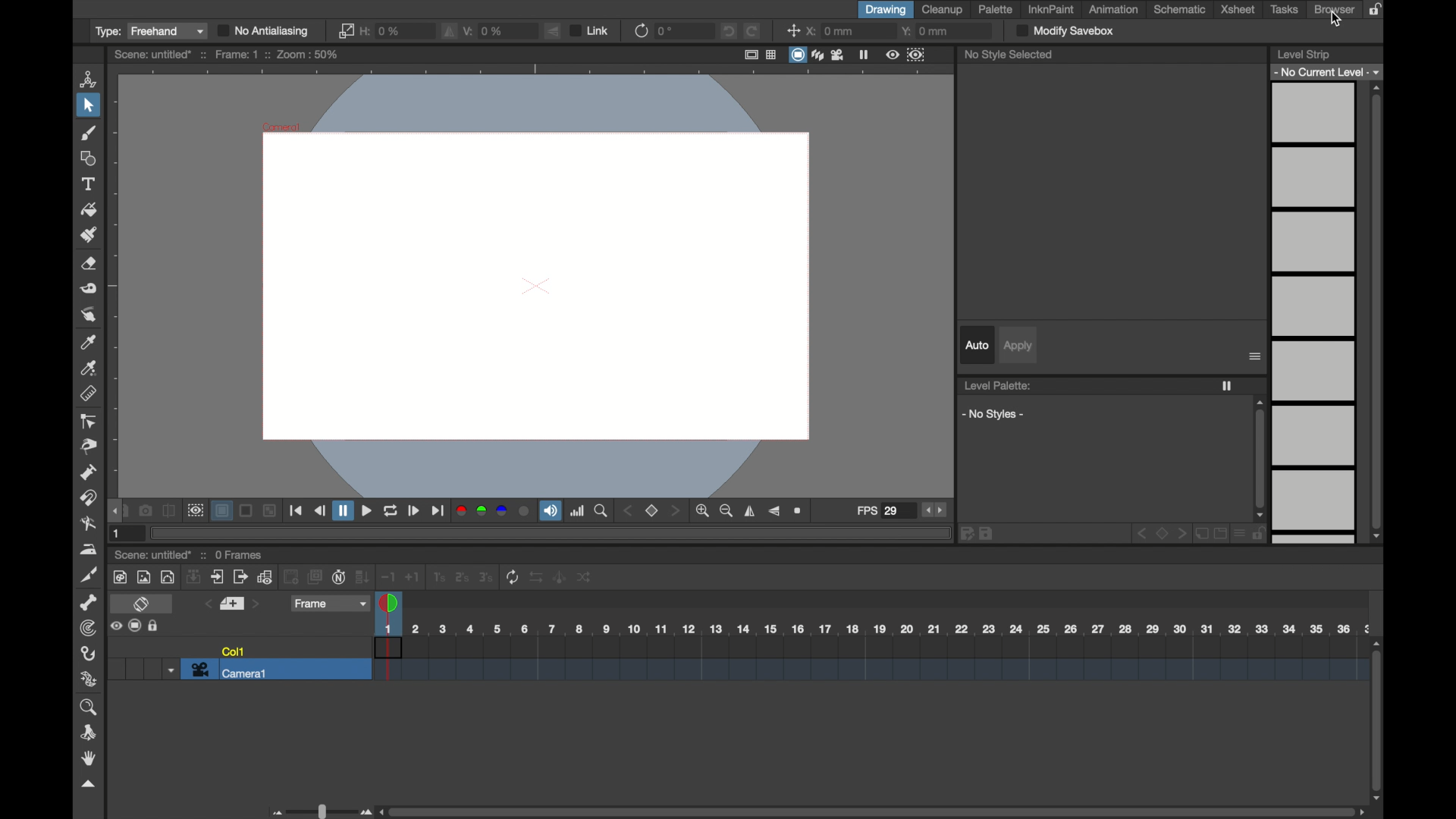 This screenshot has width=1456, height=819. What do you see at coordinates (234, 650) in the screenshot?
I see `col1` at bounding box center [234, 650].